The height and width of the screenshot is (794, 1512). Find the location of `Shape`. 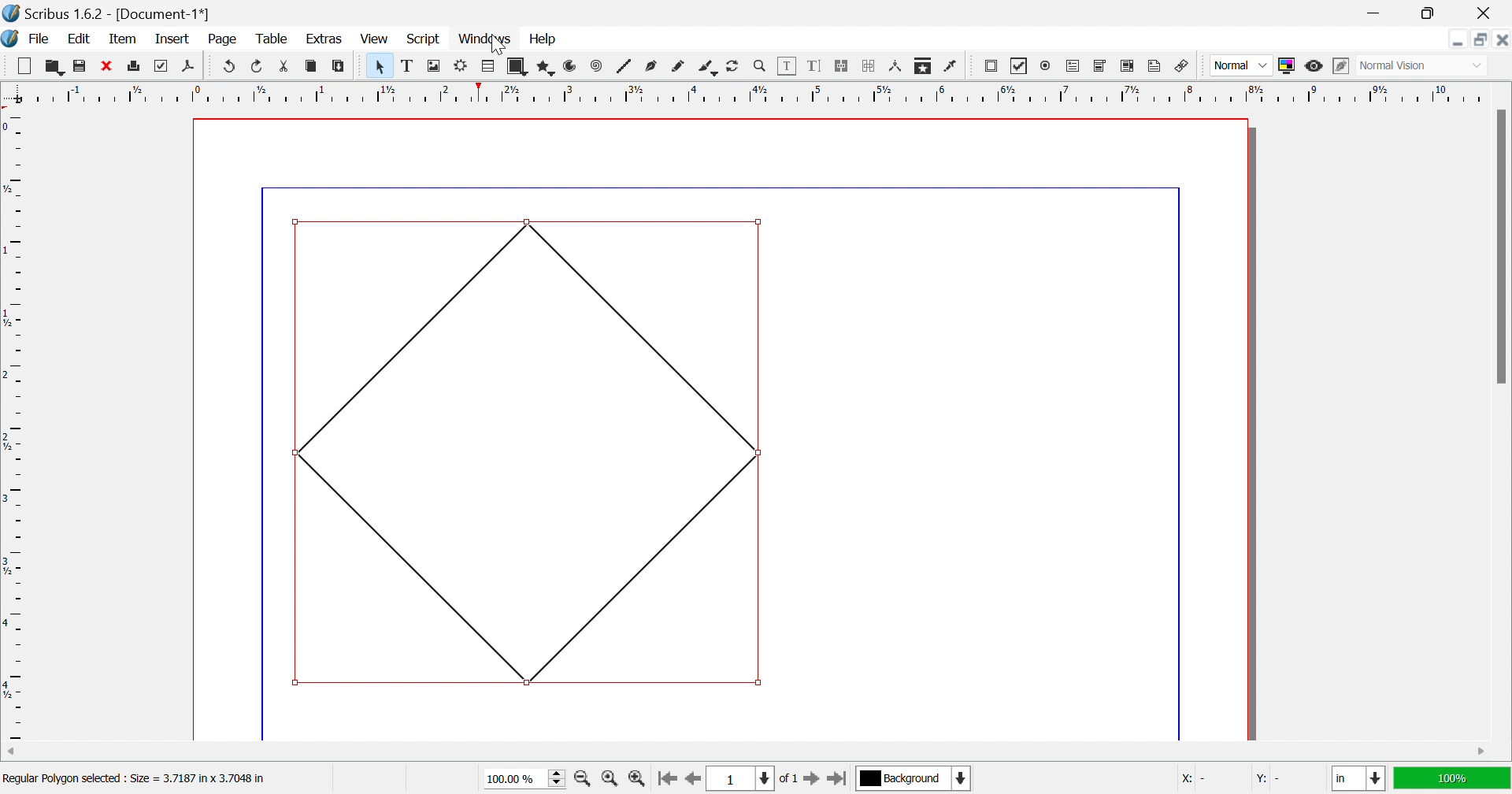

Shape is located at coordinates (530, 453).